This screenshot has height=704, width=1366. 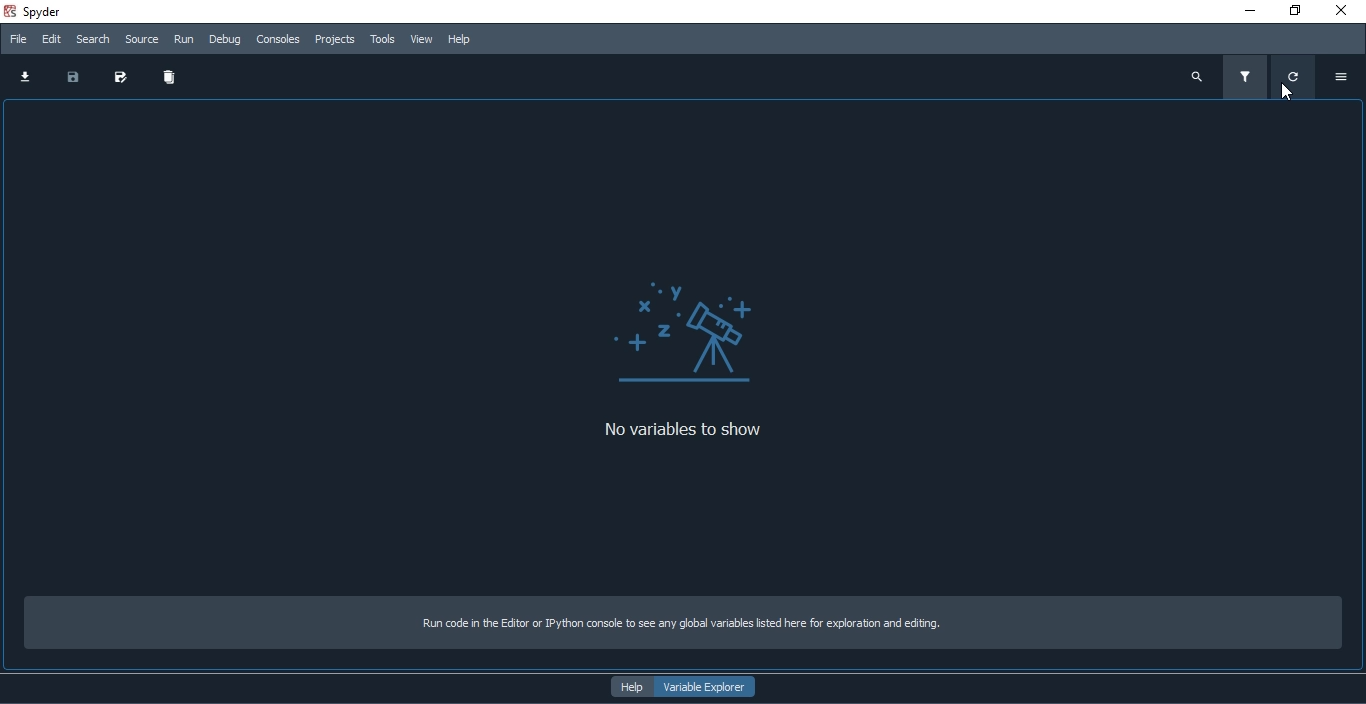 I want to click on close, so click(x=1343, y=12).